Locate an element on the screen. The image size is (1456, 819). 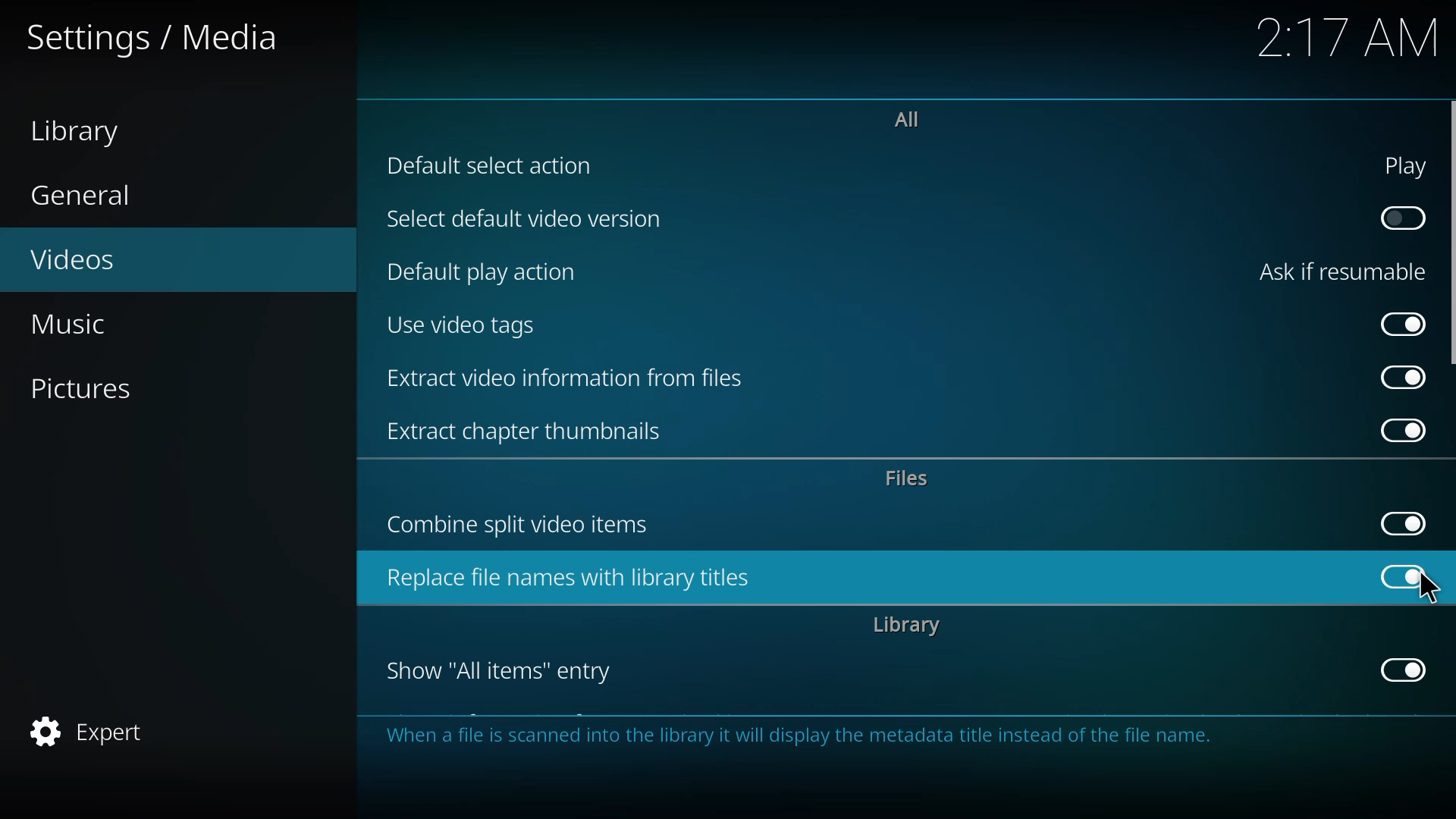
show all items entry is located at coordinates (504, 672).